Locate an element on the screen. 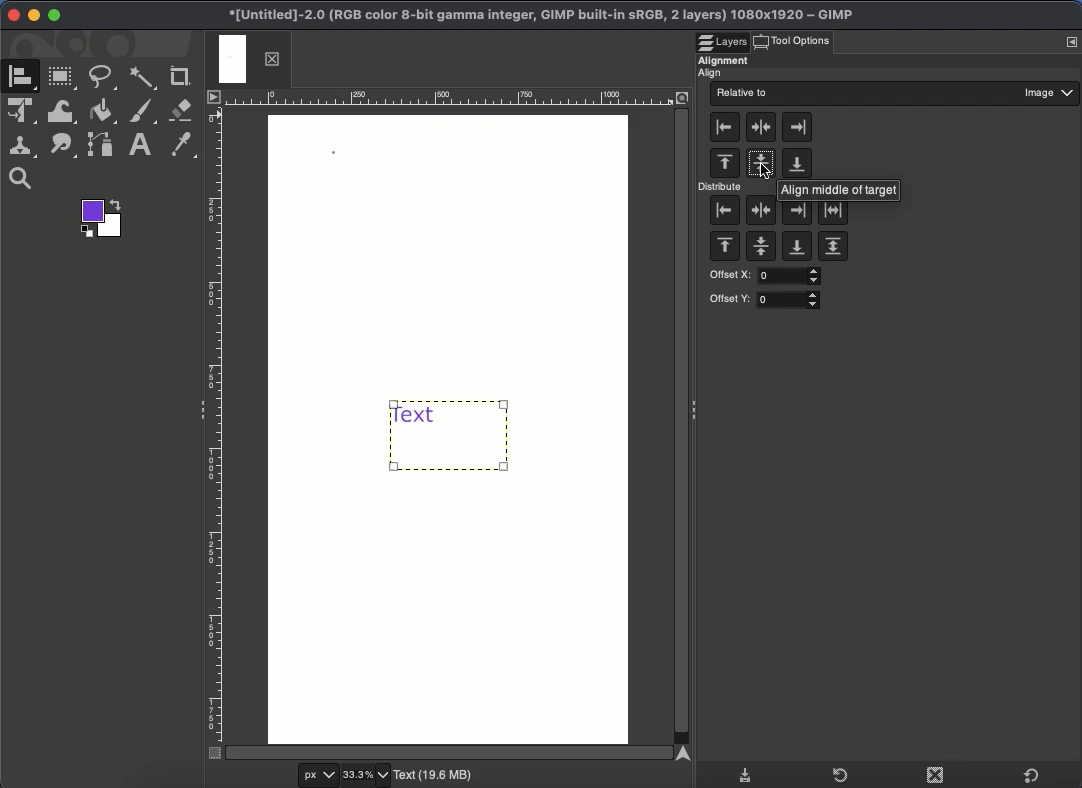 This screenshot has width=1082, height=788. Scroll is located at coordinates (453, 751).